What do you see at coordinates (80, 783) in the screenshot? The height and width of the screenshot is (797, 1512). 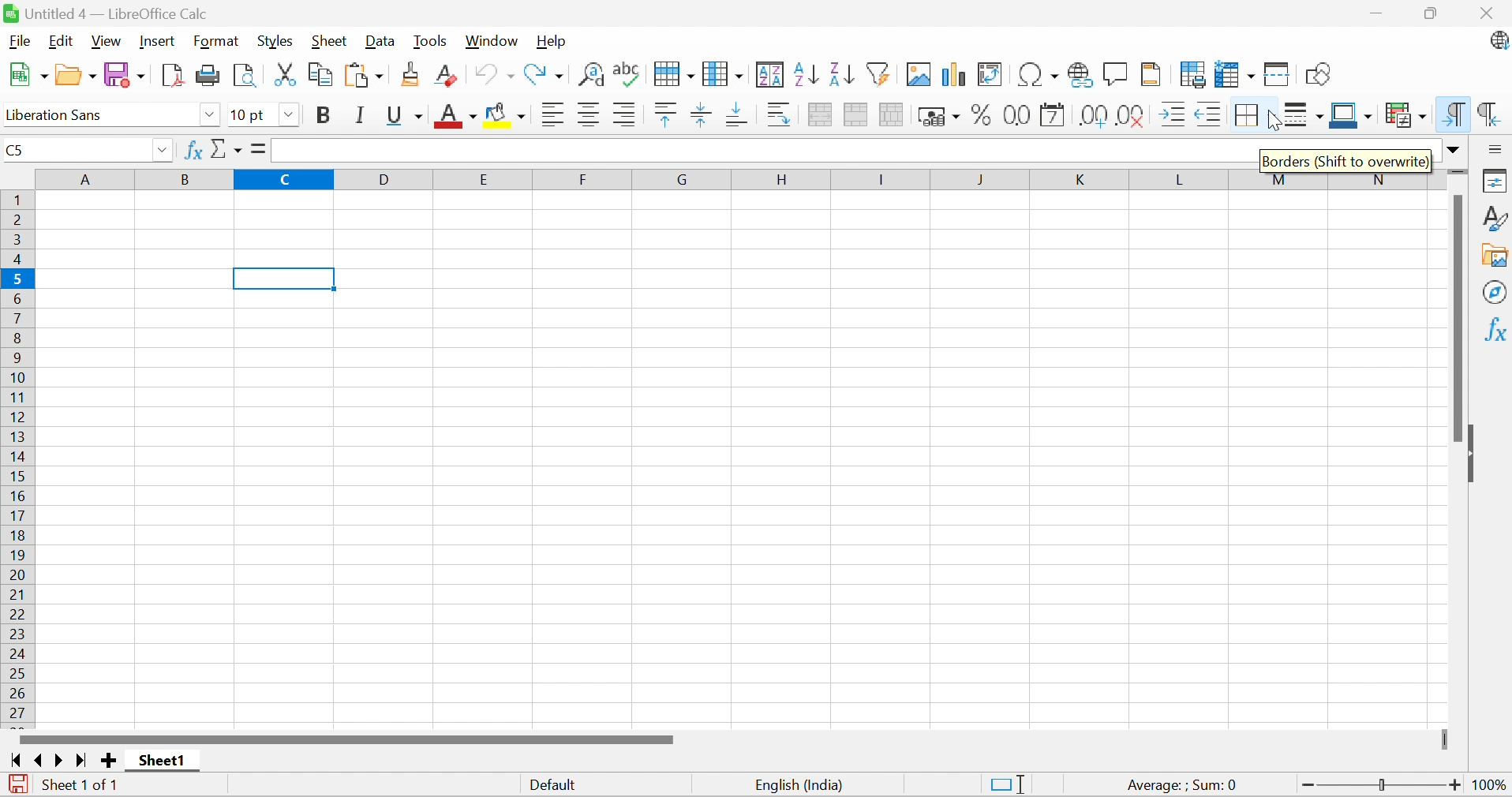 I see `Sheet 1 of 1` at bounding box center [80, 783].